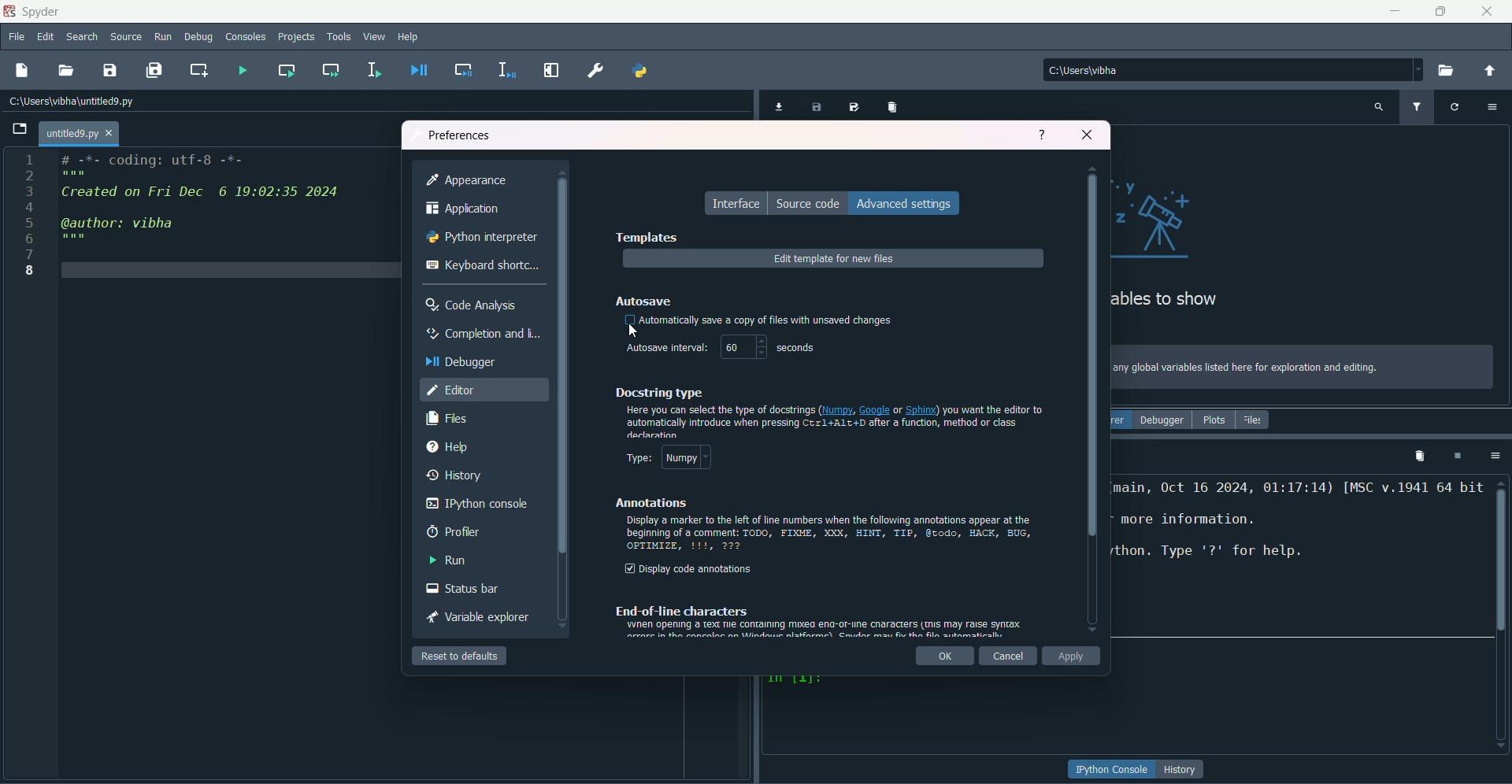 The height and width of the screenshot is (784, 1512). What do you see at coordinates (480, 334) in the screenshot?
I see `completion` at bounding box center [480, 334].